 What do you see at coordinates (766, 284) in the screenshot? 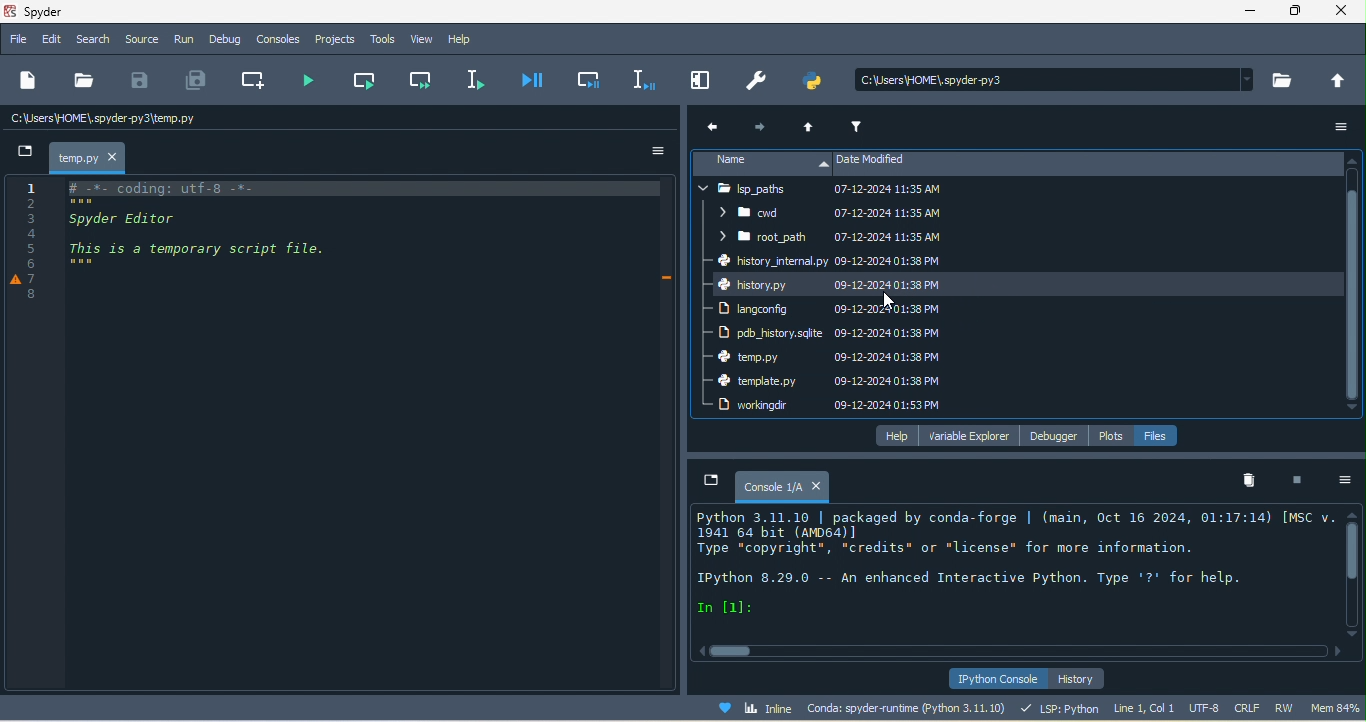
I see `history py` at bounding box center [766, 284].